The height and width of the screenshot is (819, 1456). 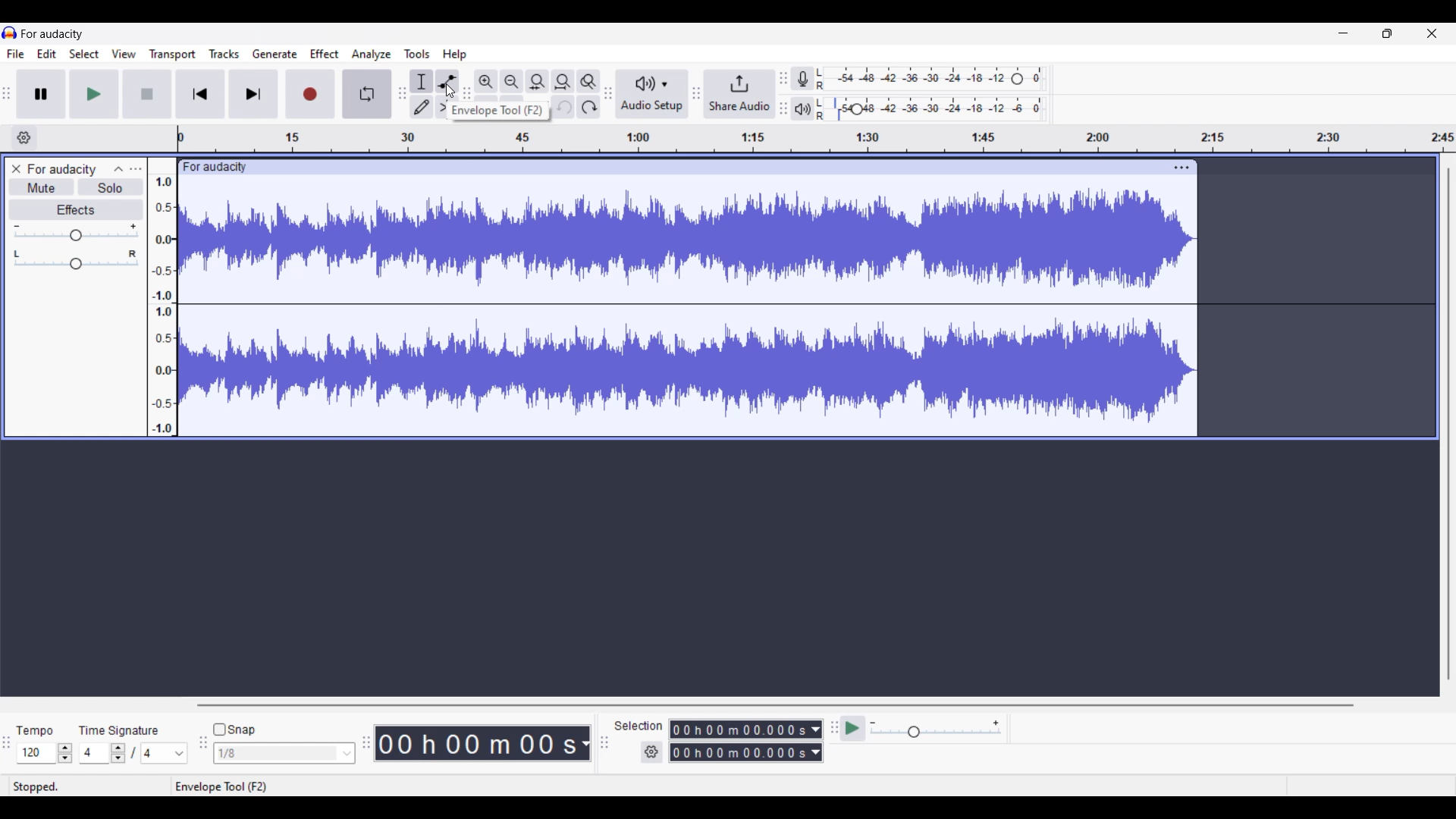 What do you see at coordinates (136, 169) in the screenshot?
I see `Open menu` at bounding box center [136, 169].